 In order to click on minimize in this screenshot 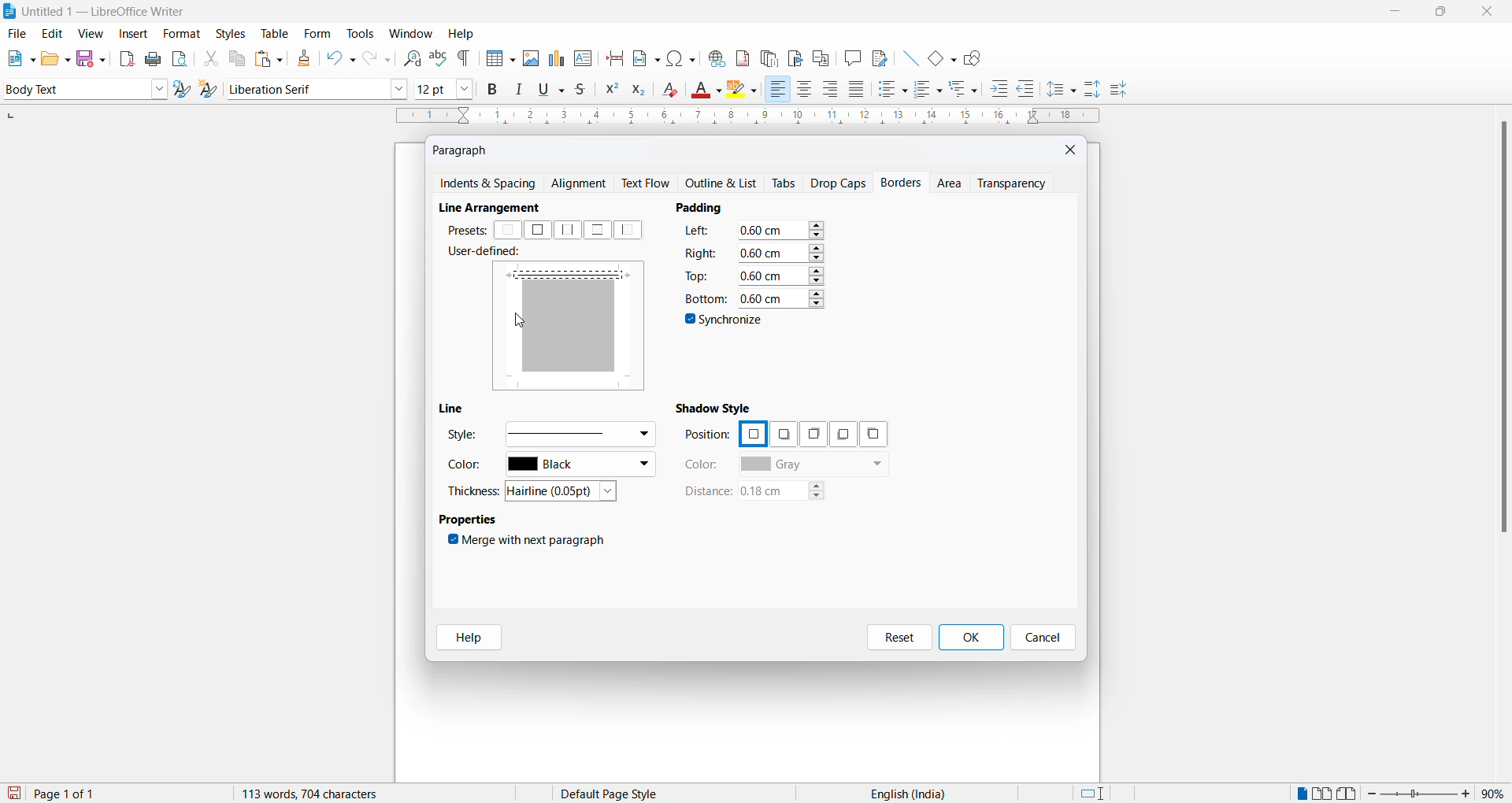, I will do `click(1393, 14)`.